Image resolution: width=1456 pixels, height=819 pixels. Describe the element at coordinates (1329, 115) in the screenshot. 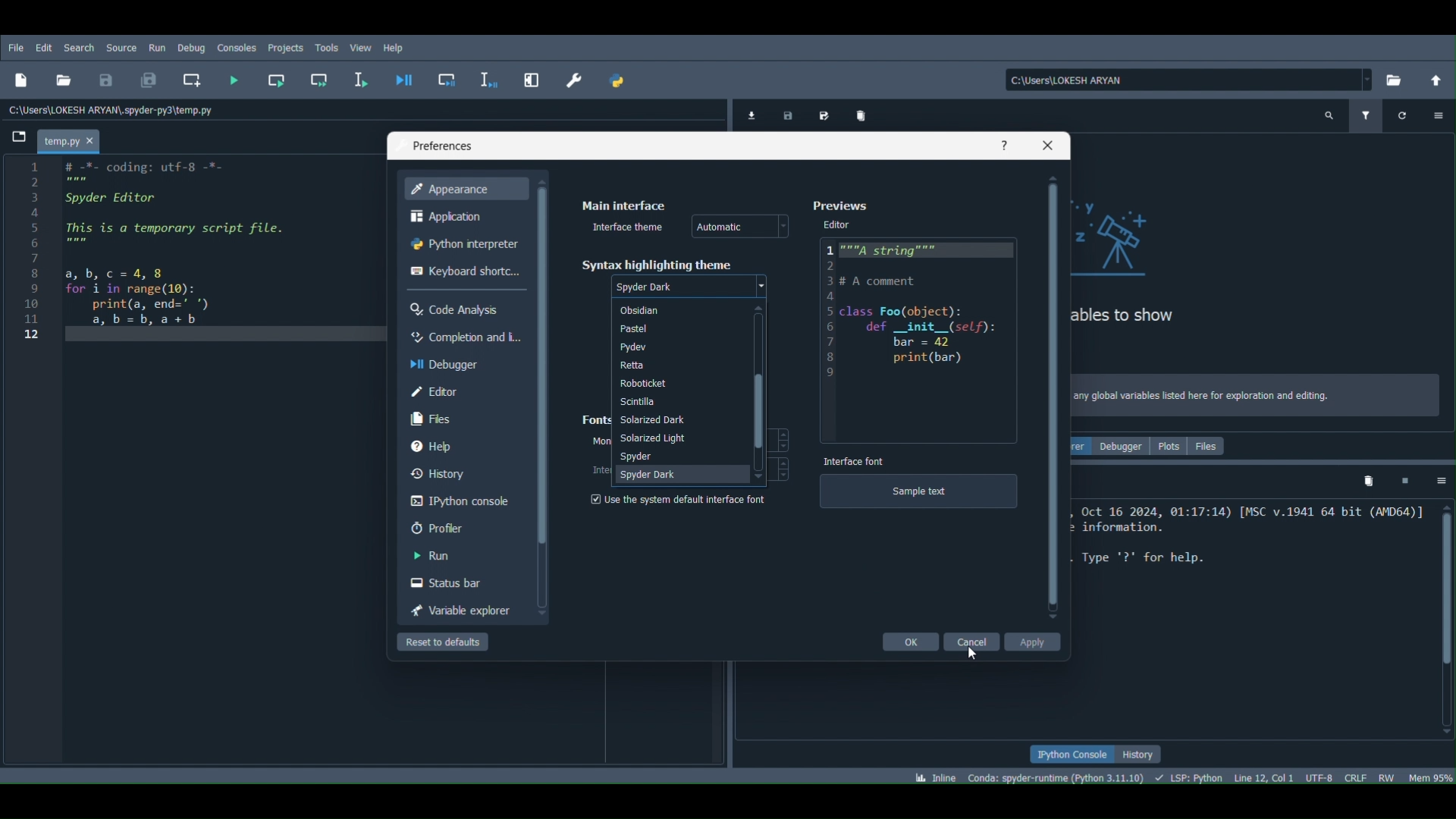

I see `Search variable names and types (Ctrl + F)` at that location.